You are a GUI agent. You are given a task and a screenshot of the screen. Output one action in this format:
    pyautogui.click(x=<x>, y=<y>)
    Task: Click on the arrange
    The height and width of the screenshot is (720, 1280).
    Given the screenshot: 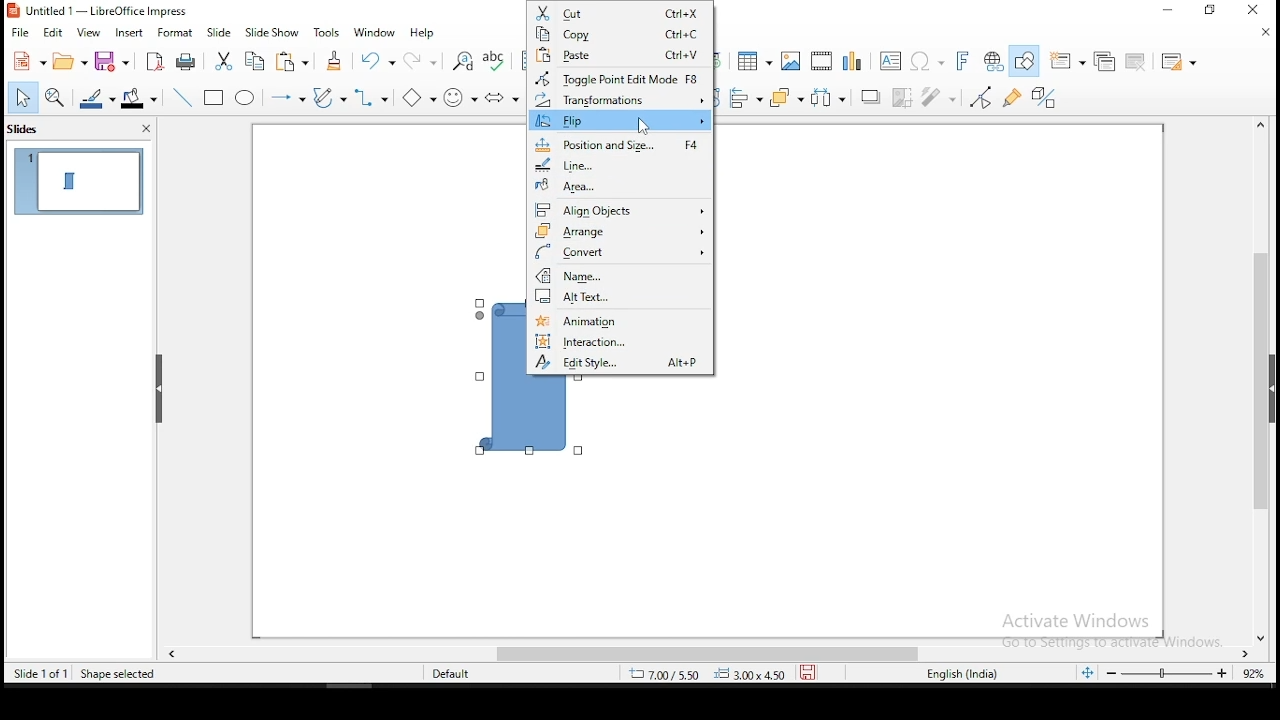 What is the action you would take?
    pyautogui.click(x=786, y=98)
    